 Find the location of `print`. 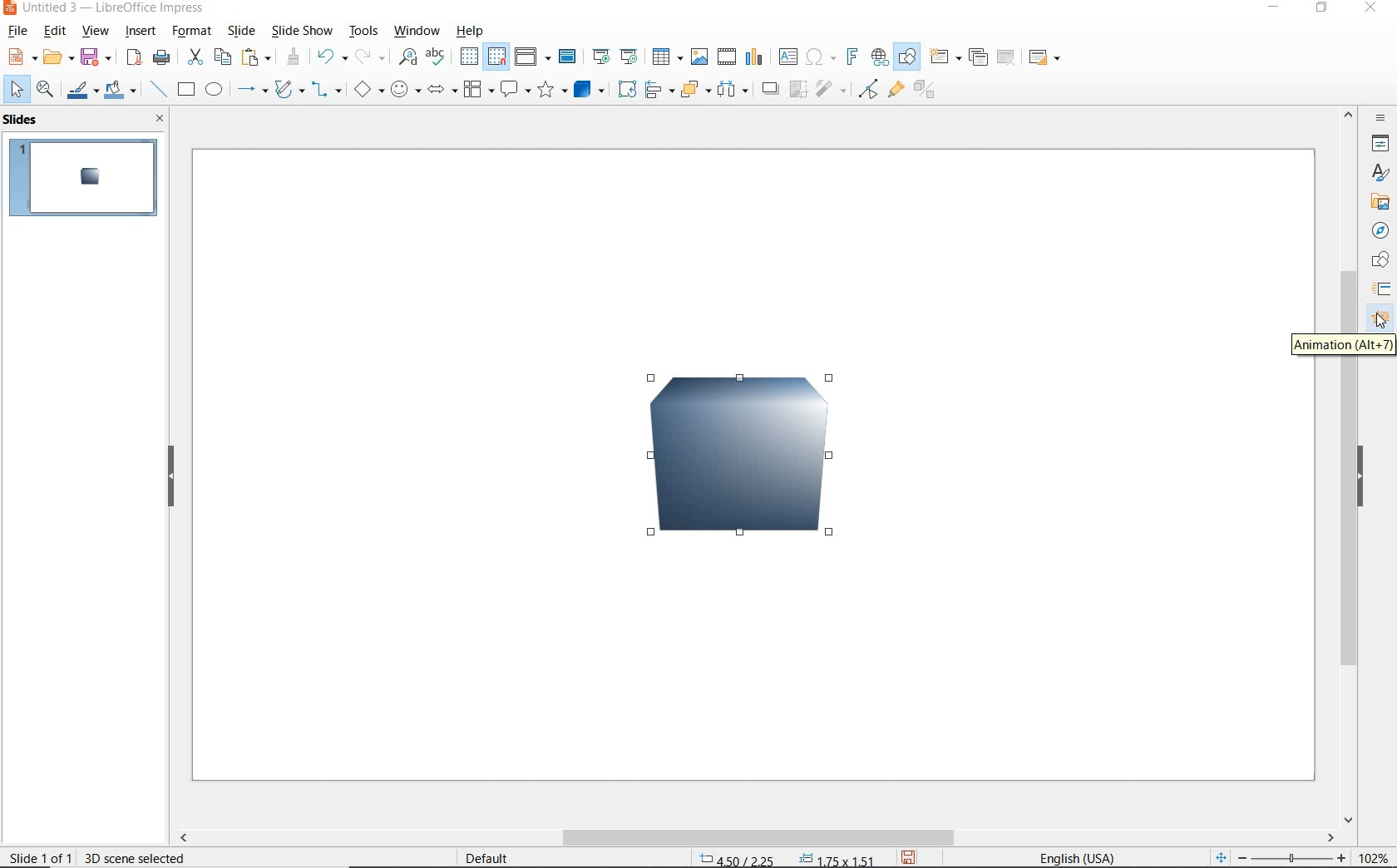

print is located at coordinates (160, 57).